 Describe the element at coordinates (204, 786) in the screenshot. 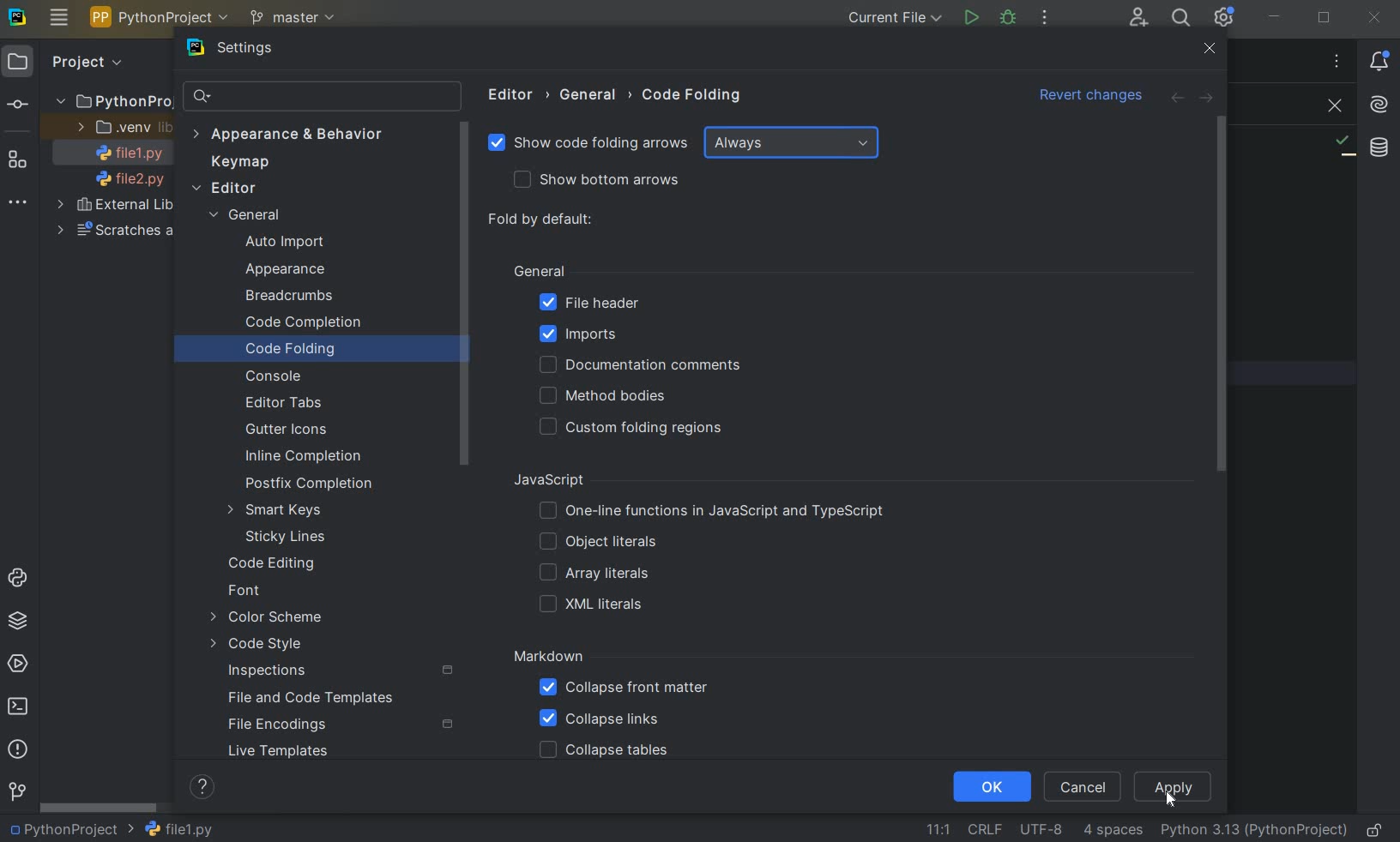

I see `HELP` at that location.